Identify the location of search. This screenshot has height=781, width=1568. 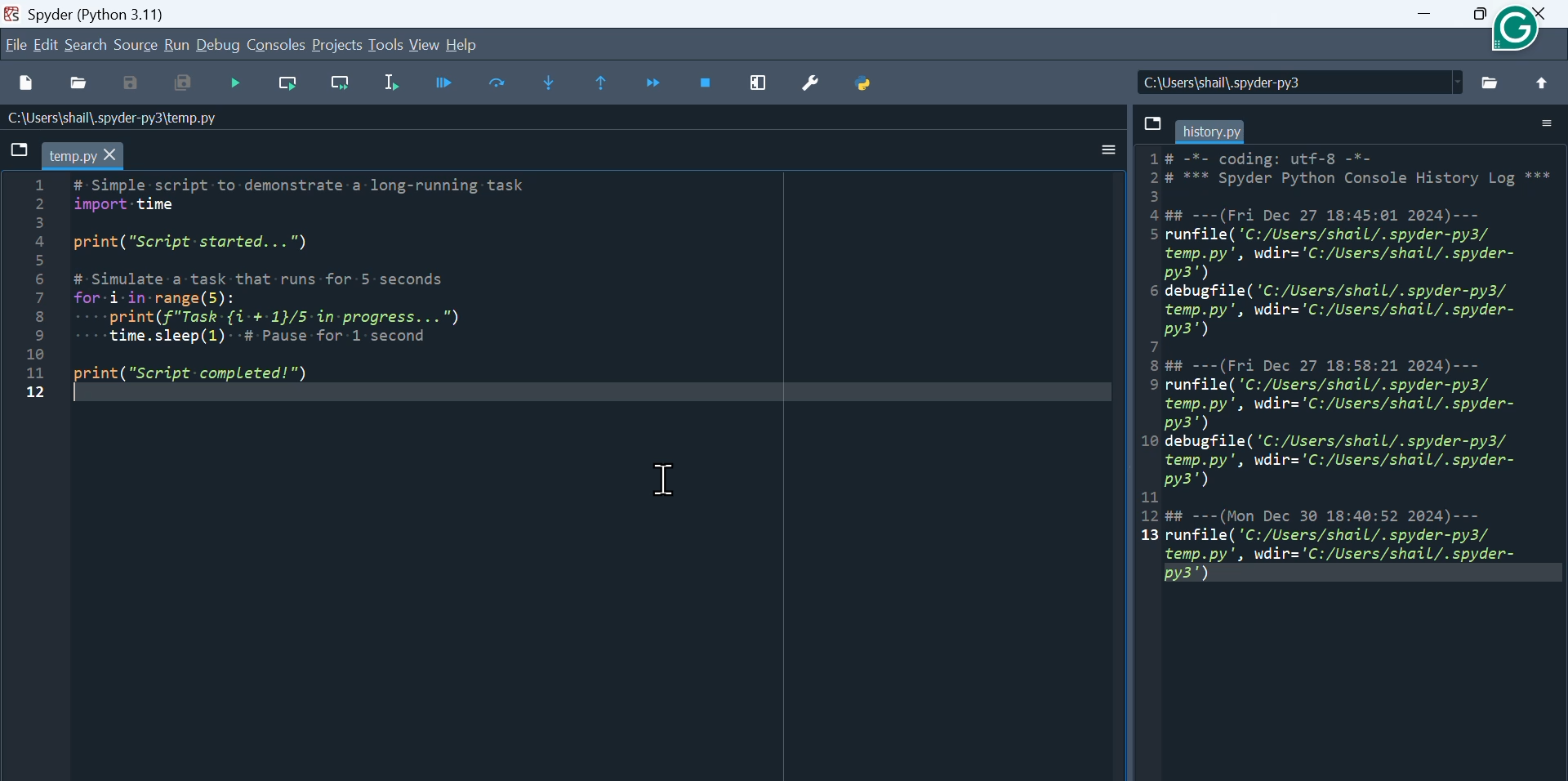
(85, 46).